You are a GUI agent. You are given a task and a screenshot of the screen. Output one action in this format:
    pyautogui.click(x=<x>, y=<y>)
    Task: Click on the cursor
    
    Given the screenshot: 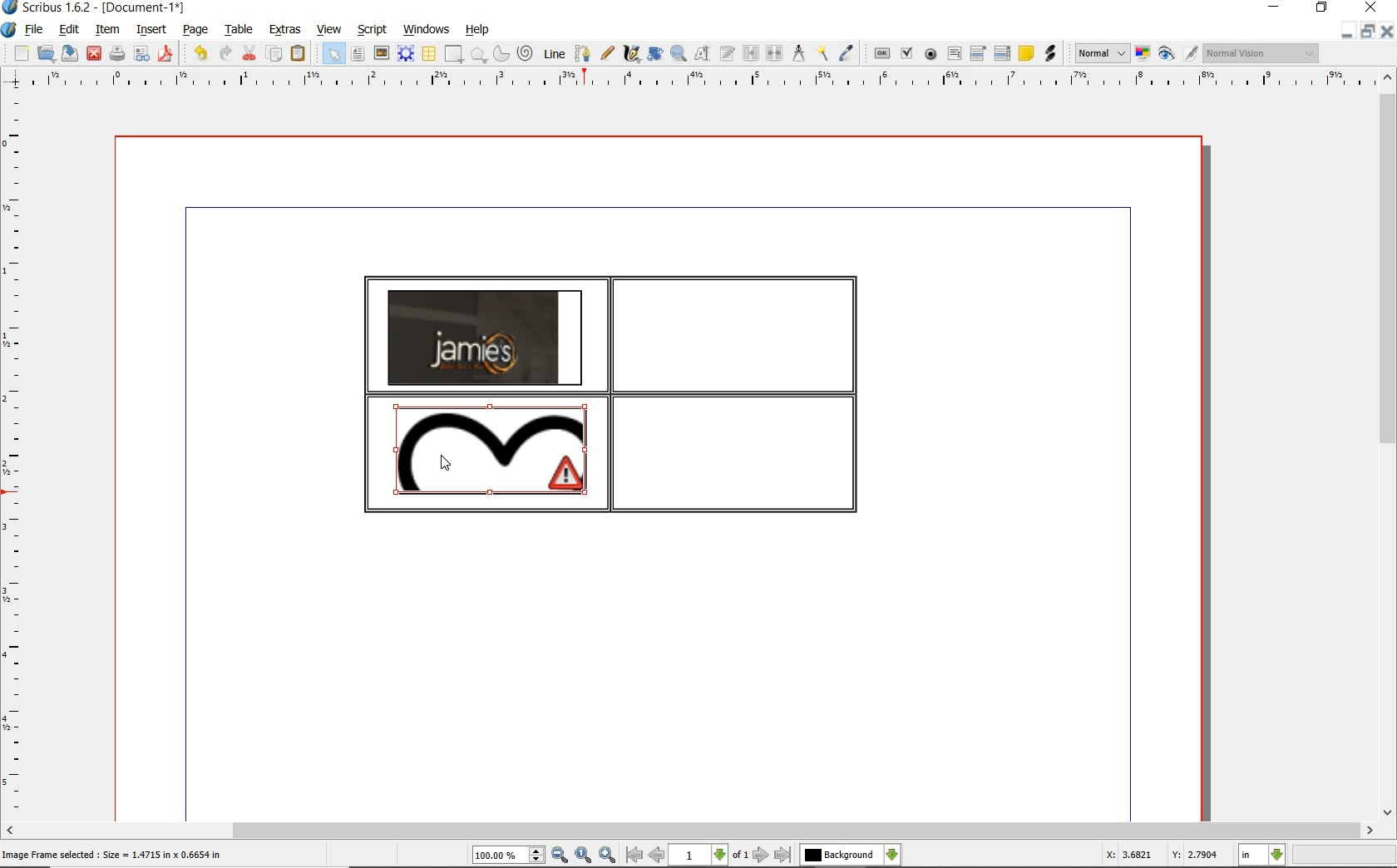 What is the action you would take?
    pyautogui.click(x=445, y=463)
    